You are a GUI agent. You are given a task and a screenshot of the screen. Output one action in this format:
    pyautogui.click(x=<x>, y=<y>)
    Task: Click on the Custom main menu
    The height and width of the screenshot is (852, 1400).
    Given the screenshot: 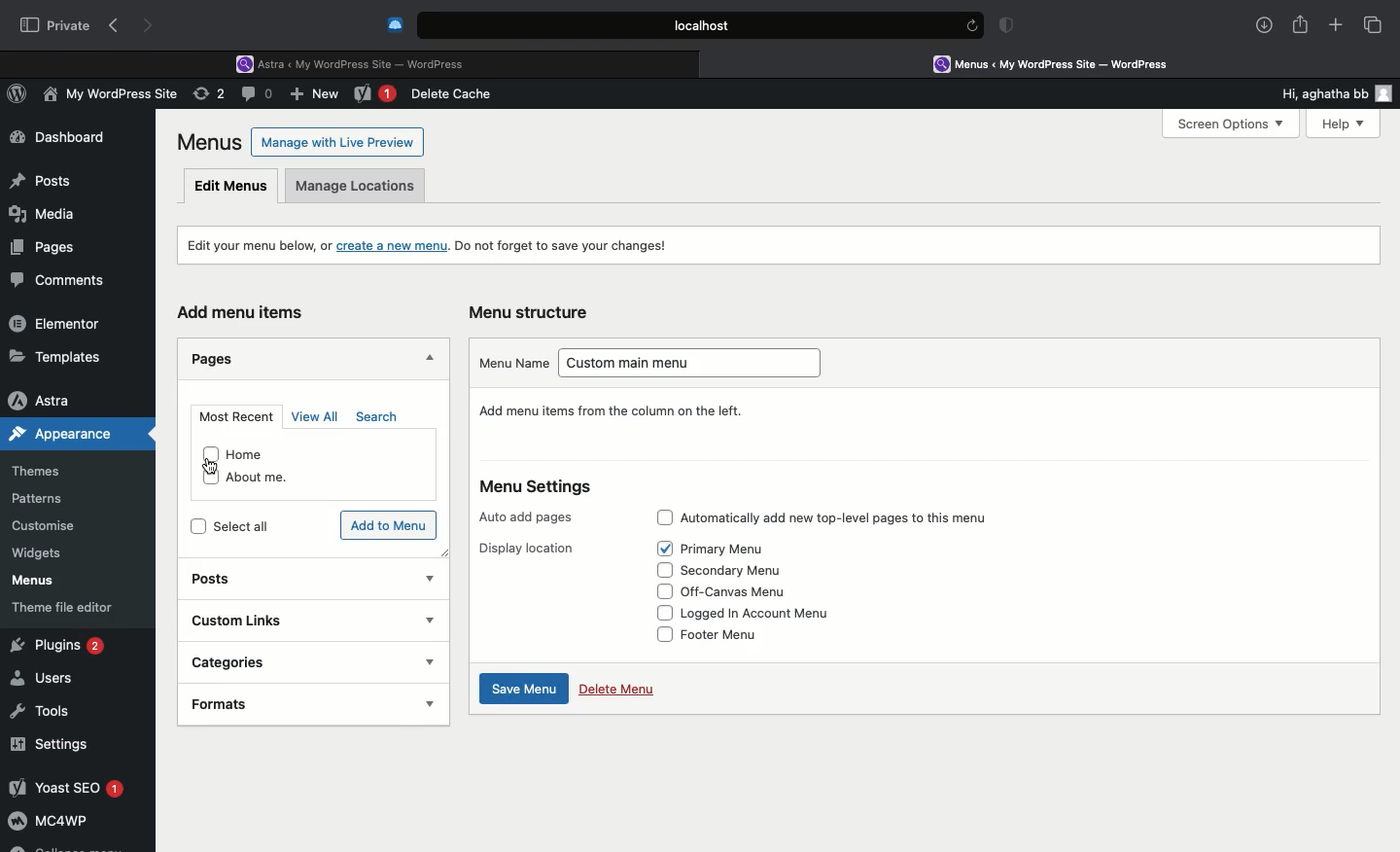 What is the action you would take?
    pyautogui.click(x=697, y=366)
    